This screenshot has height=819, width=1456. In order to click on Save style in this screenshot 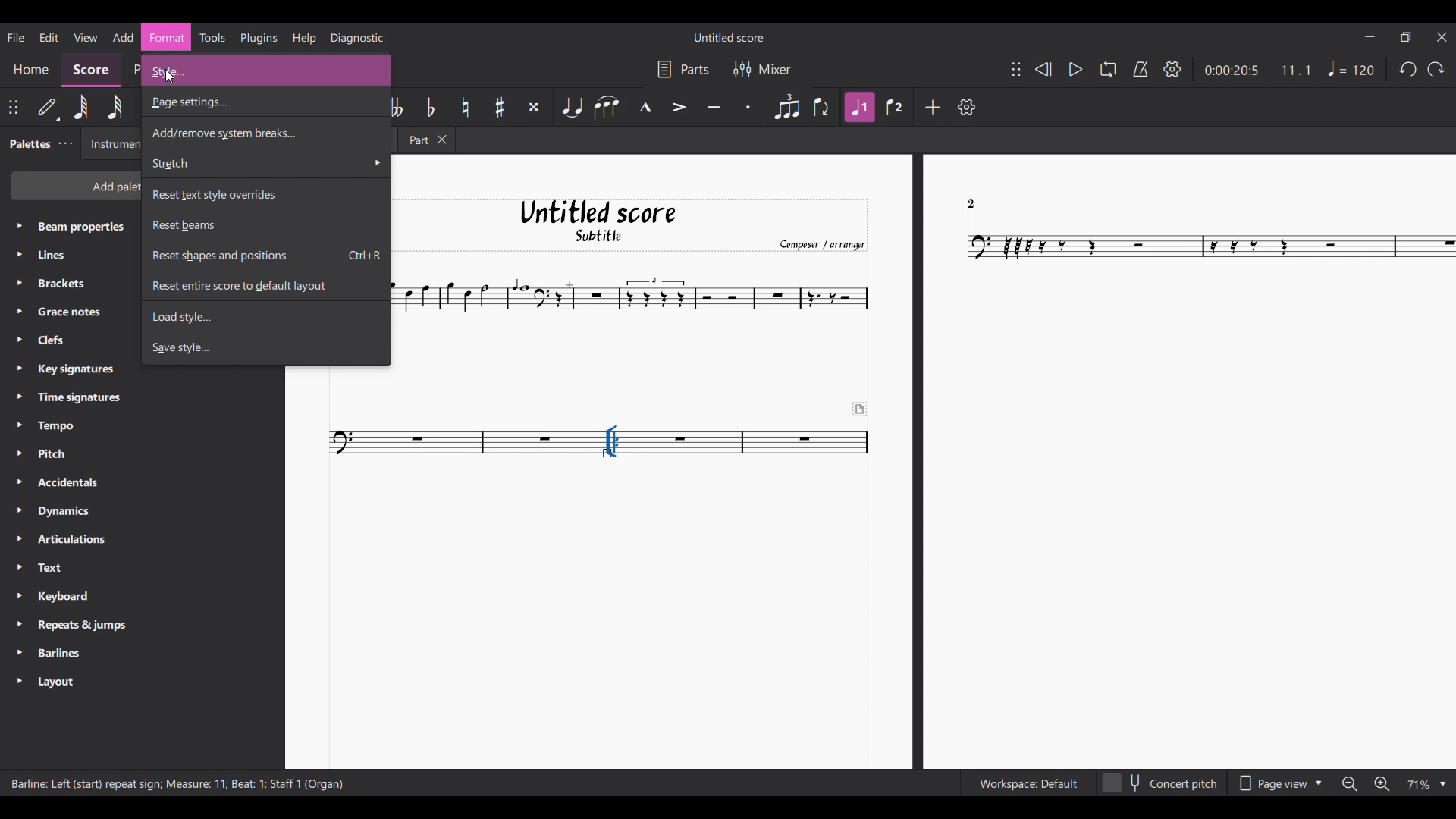, I will do `click(265, 348)`.